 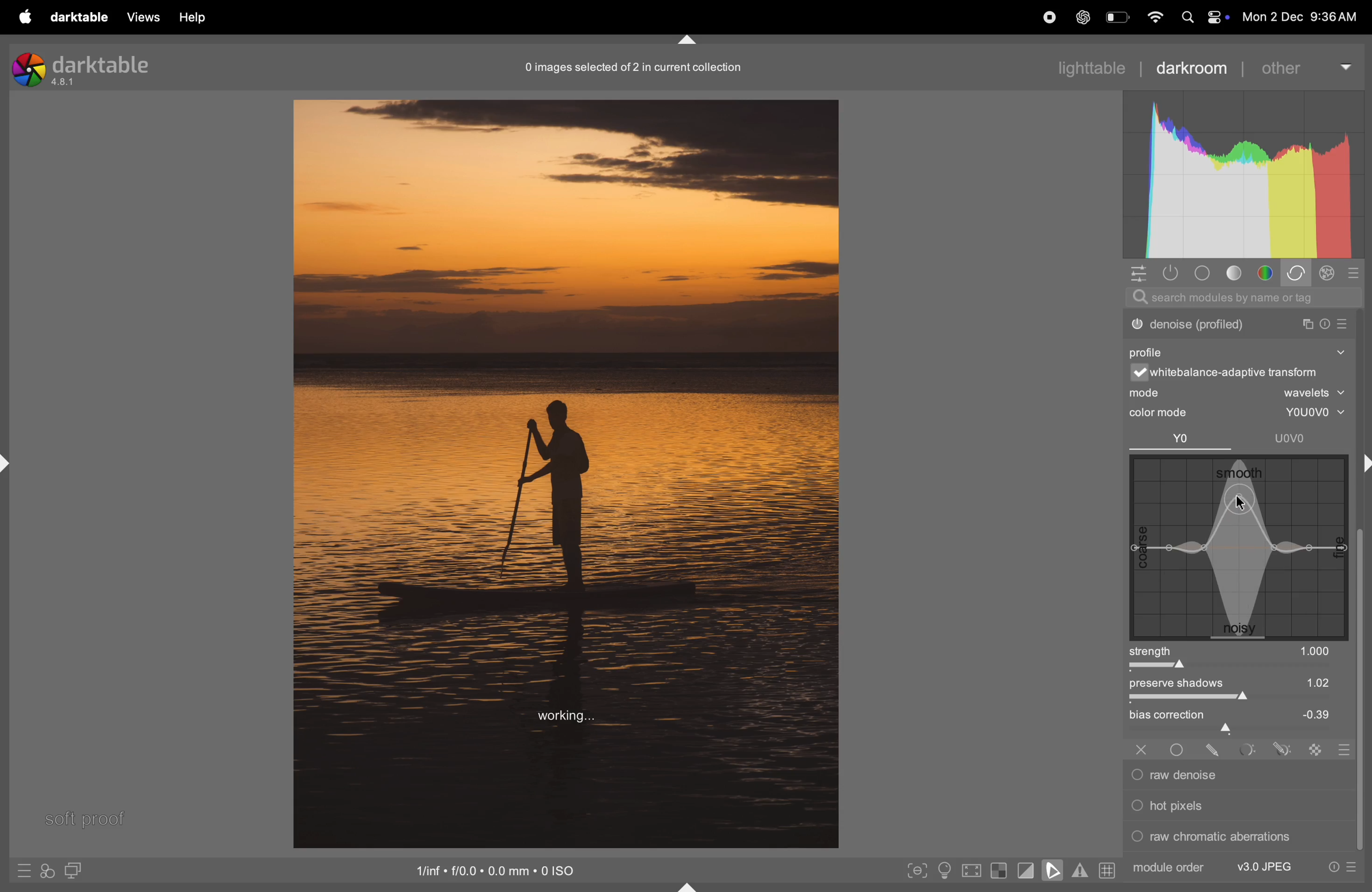 What do you see at coordinates (1245, 374) in the screenshot?
I see `white balance transform` at bounding box center [1245, 374].